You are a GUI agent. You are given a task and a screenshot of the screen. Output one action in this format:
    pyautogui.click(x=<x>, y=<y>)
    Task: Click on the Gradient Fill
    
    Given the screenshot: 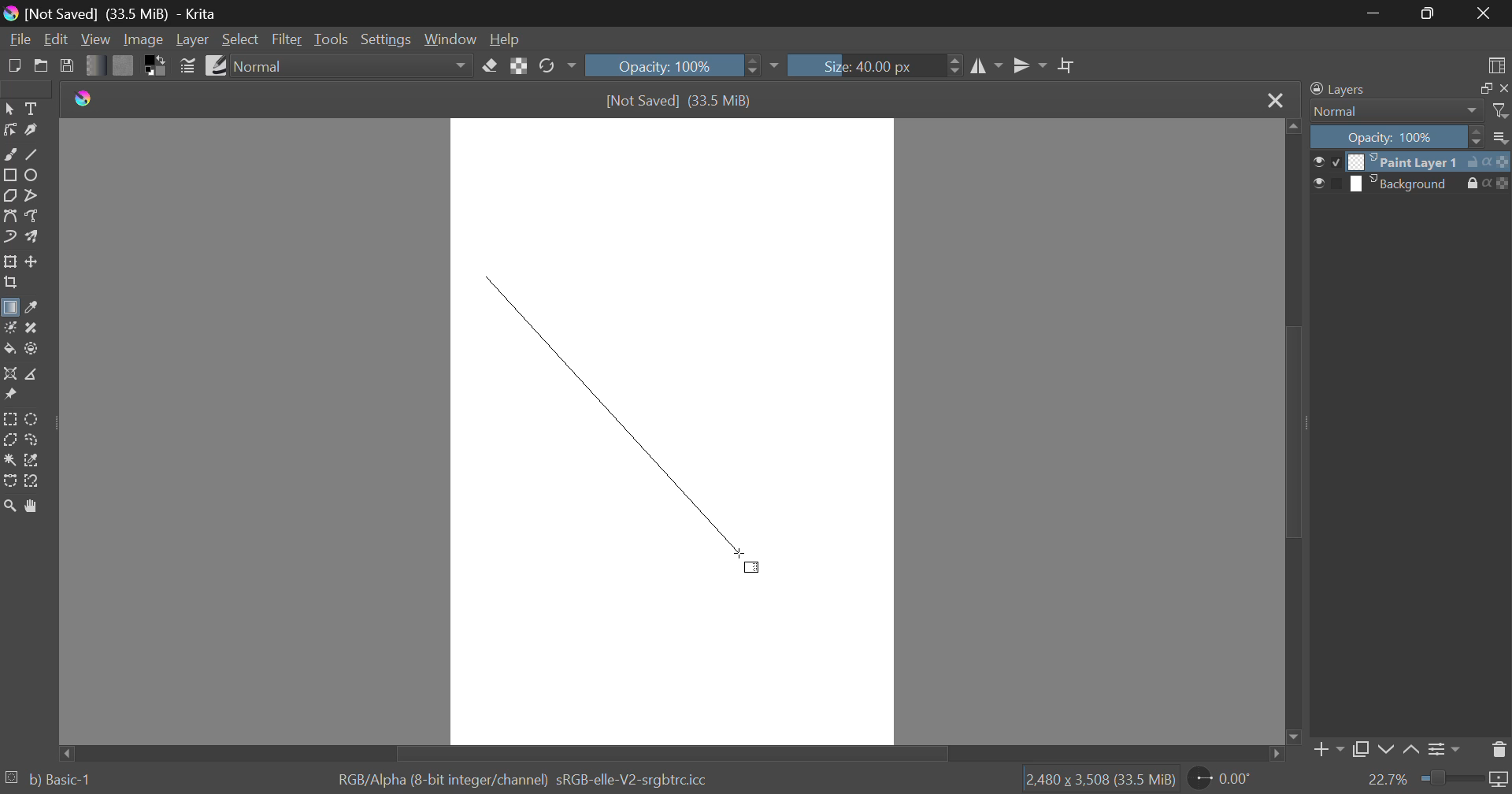 What is the action you would take?
    pyautogui.click(x=9, y=310)
    